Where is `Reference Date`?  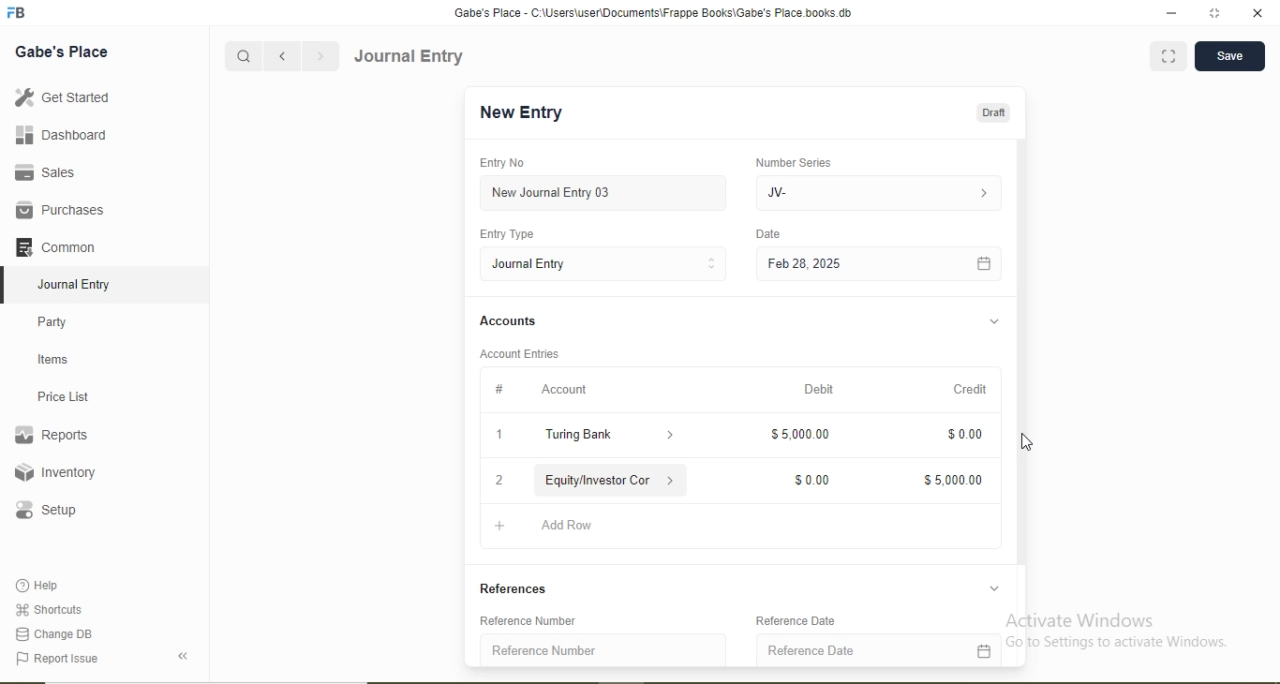
Reference Date is located at coordinates (812, 650).